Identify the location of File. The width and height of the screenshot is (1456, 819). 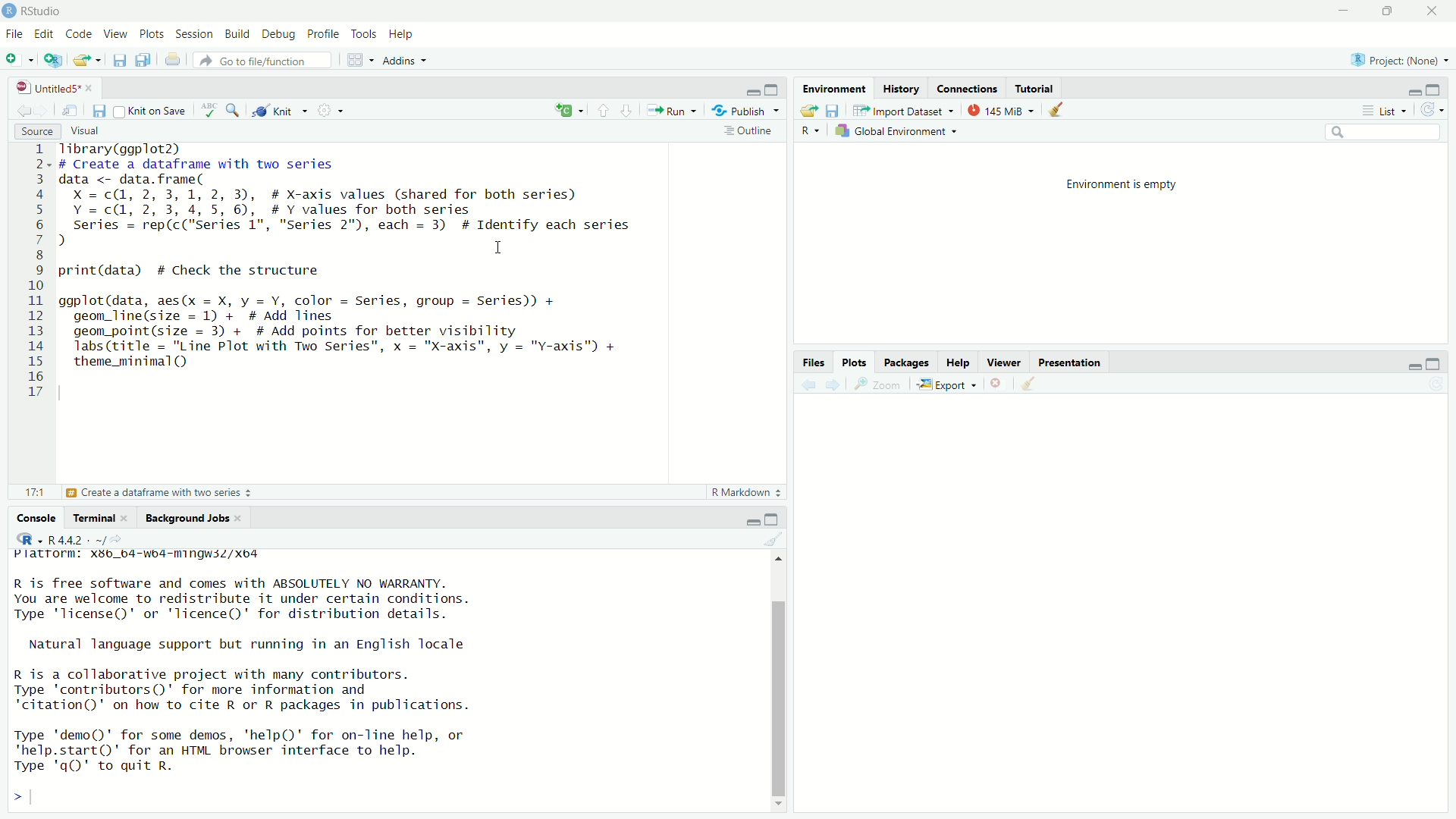
(14, 35).